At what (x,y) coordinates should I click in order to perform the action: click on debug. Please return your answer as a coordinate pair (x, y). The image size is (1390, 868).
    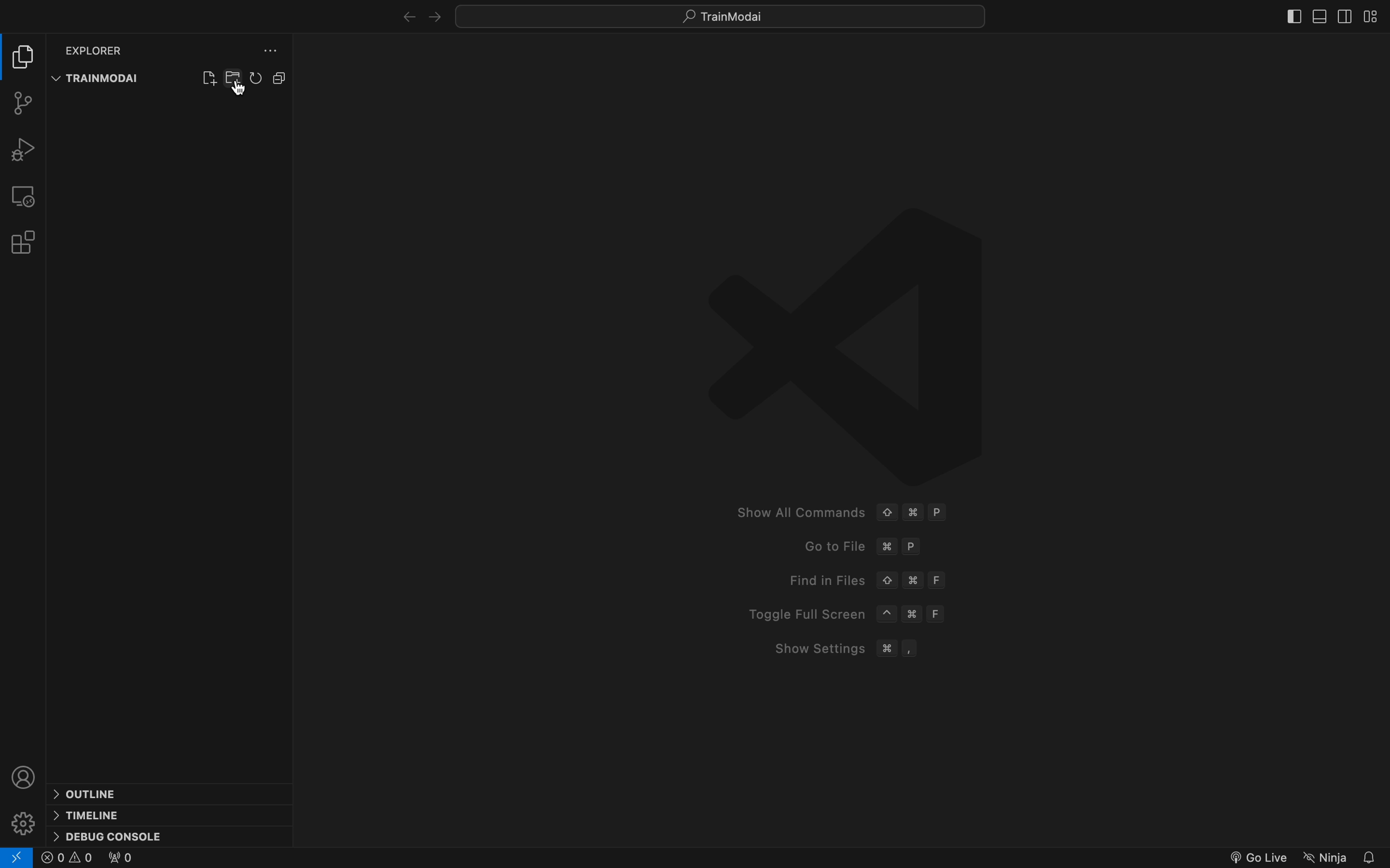
    Looking at the image, I should click on (22, 149).